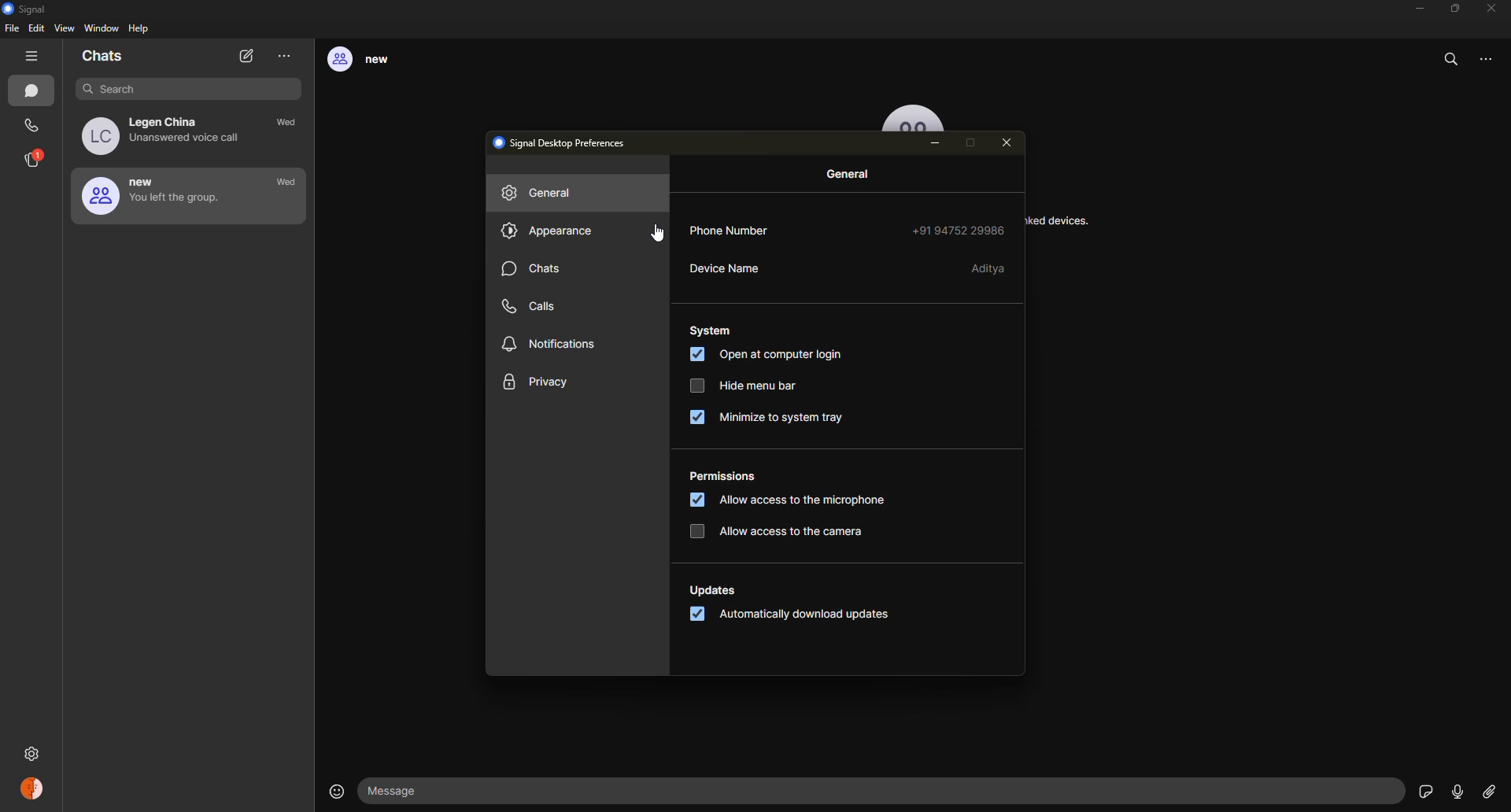  Describe the element at coordinates (646, 233) in the screenshot. I see `pointer cursor` at that location.